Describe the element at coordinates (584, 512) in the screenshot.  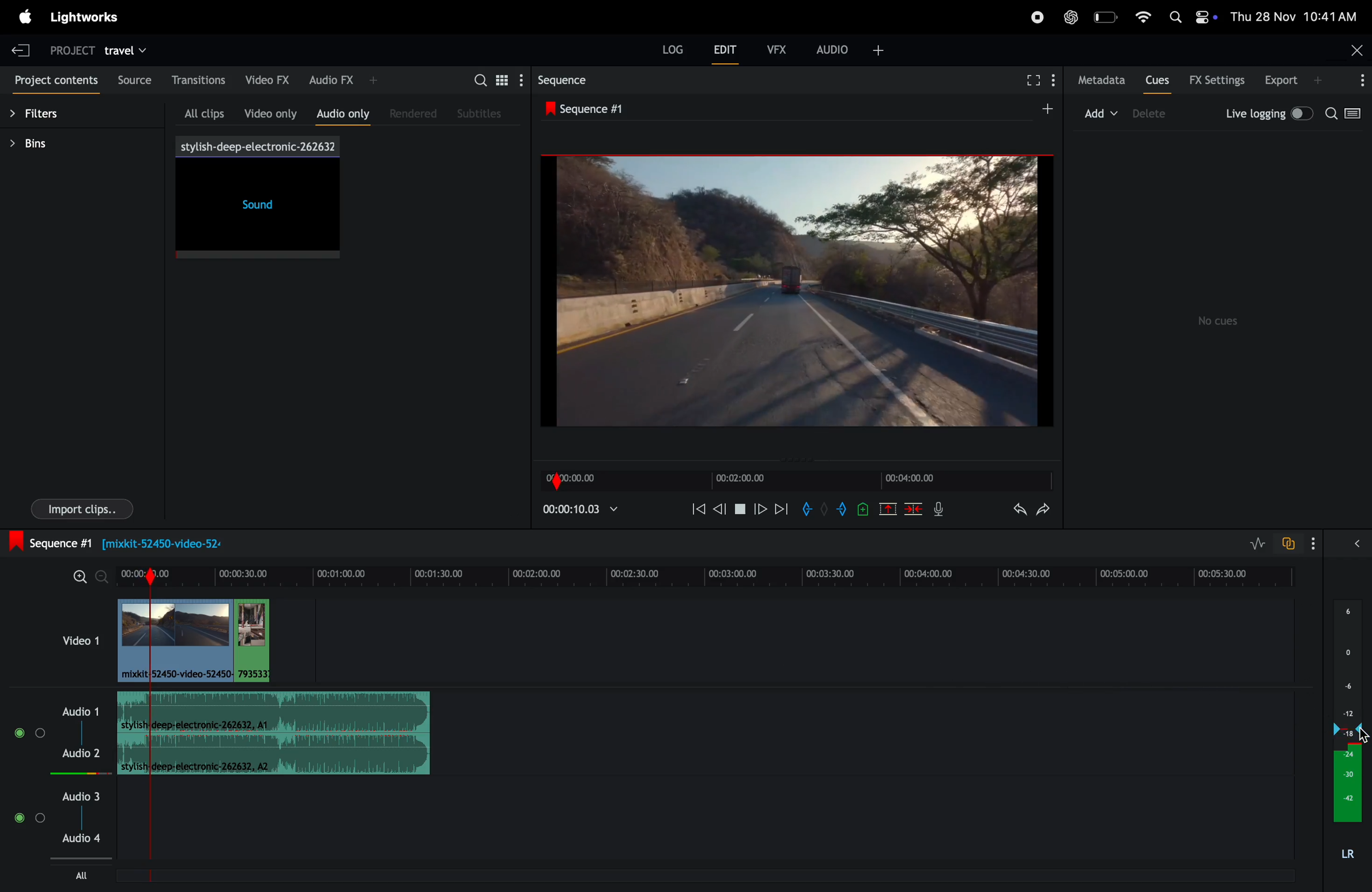
I see `play time` at that location.